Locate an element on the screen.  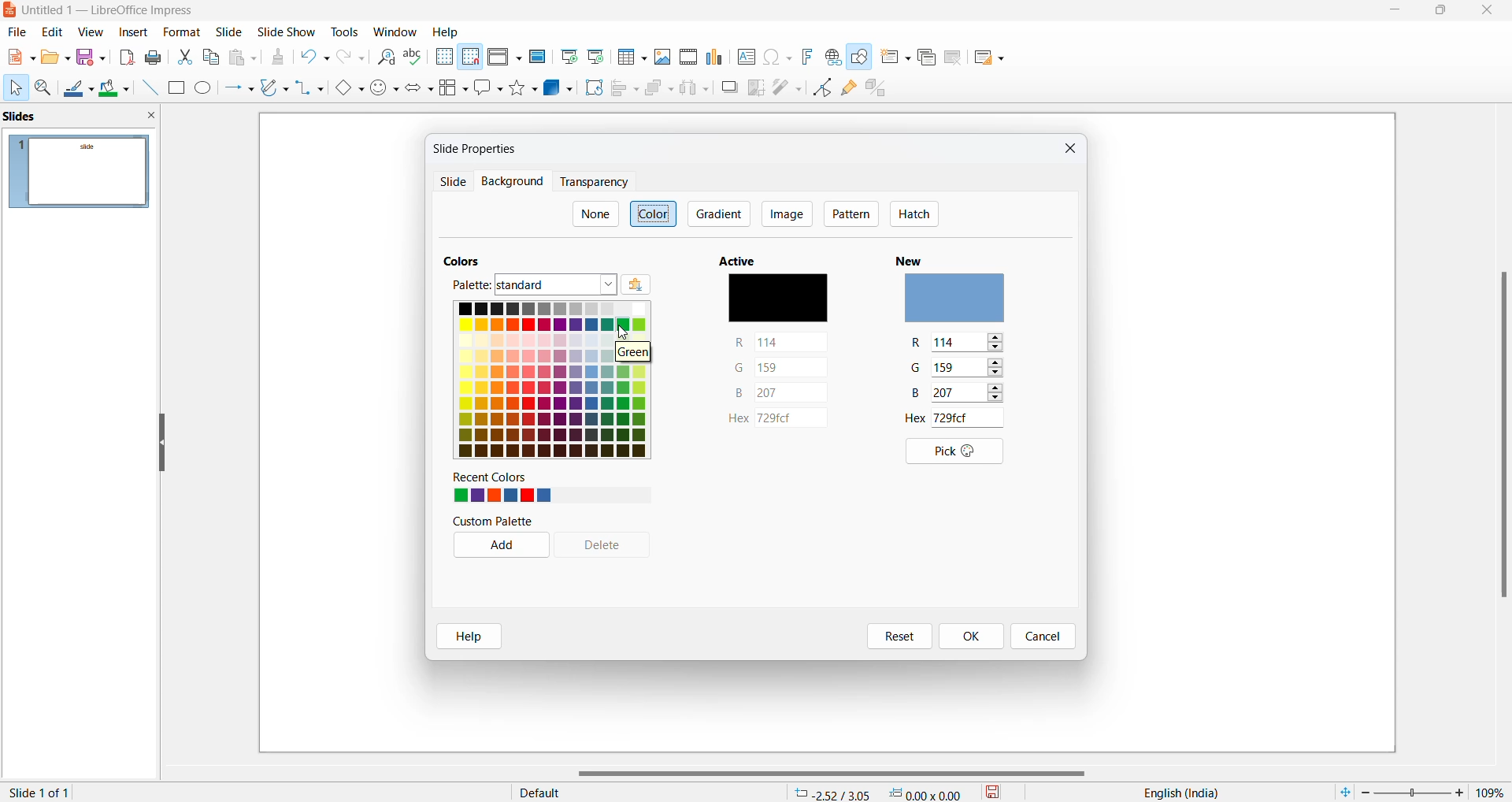
new selected color is located at coordinates (960, 300).